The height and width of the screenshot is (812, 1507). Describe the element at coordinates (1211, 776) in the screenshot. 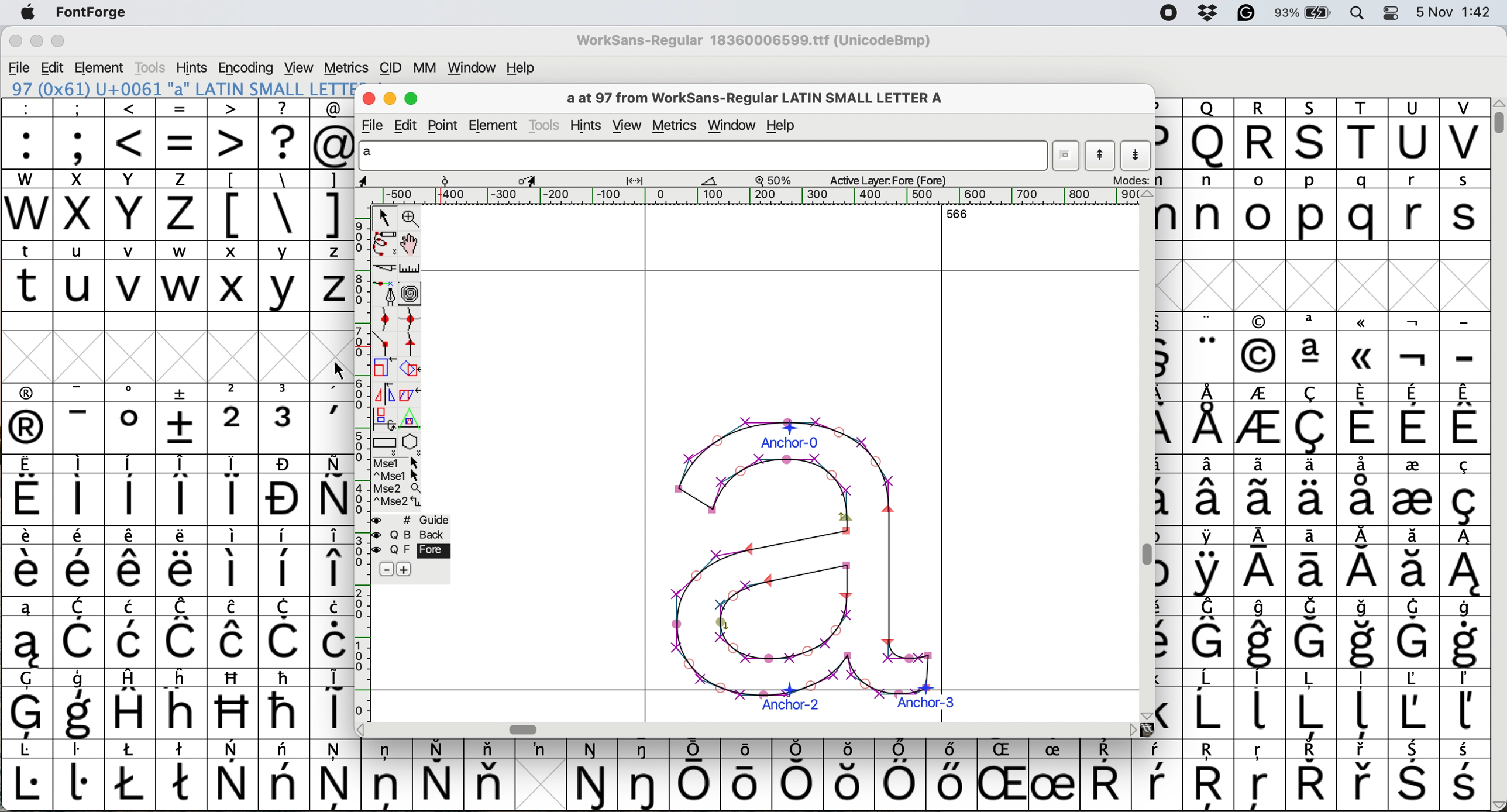

I see `` at that location.